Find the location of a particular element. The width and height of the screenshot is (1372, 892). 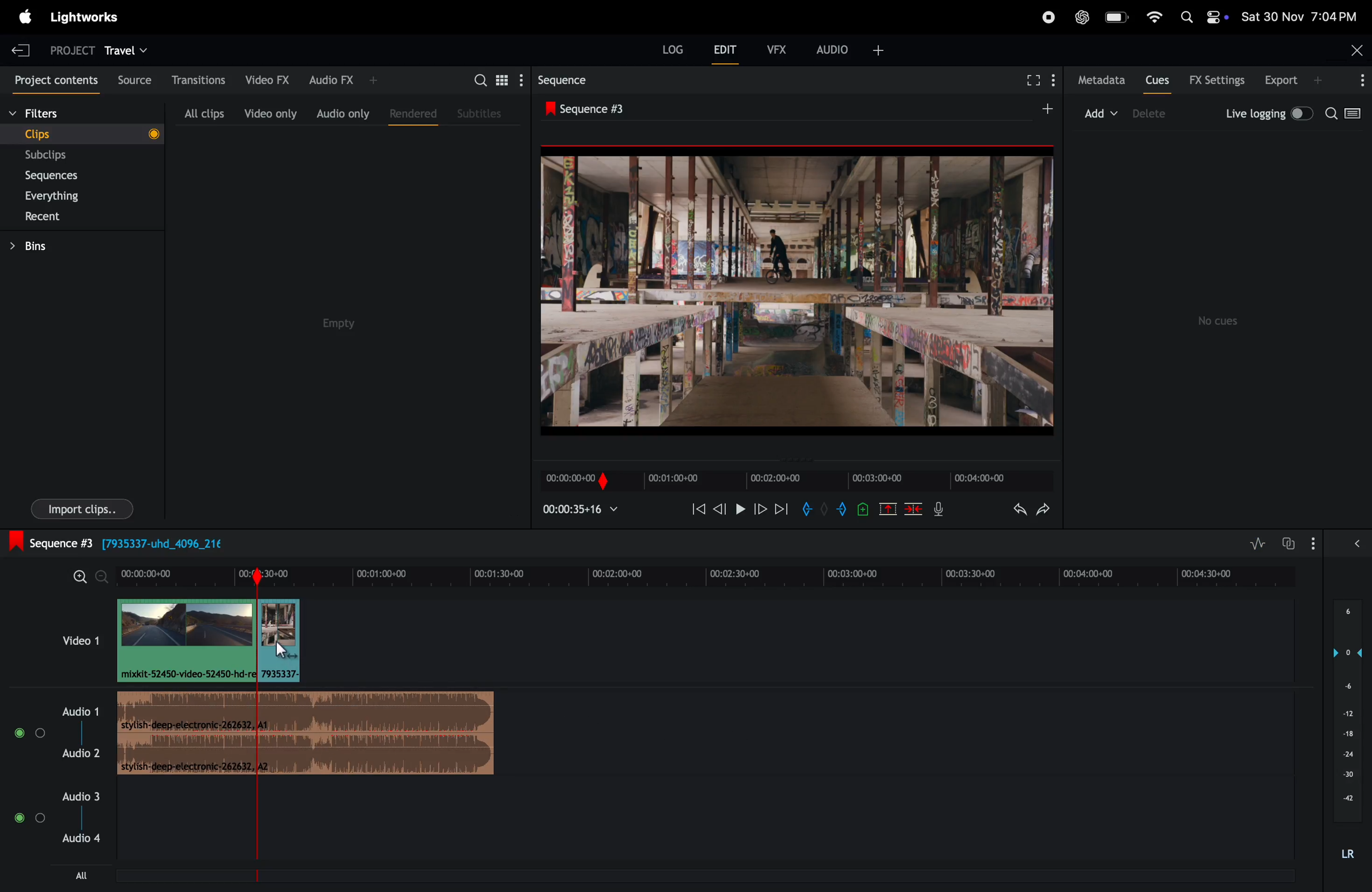

audio clips is located at coordinates (207, 640).